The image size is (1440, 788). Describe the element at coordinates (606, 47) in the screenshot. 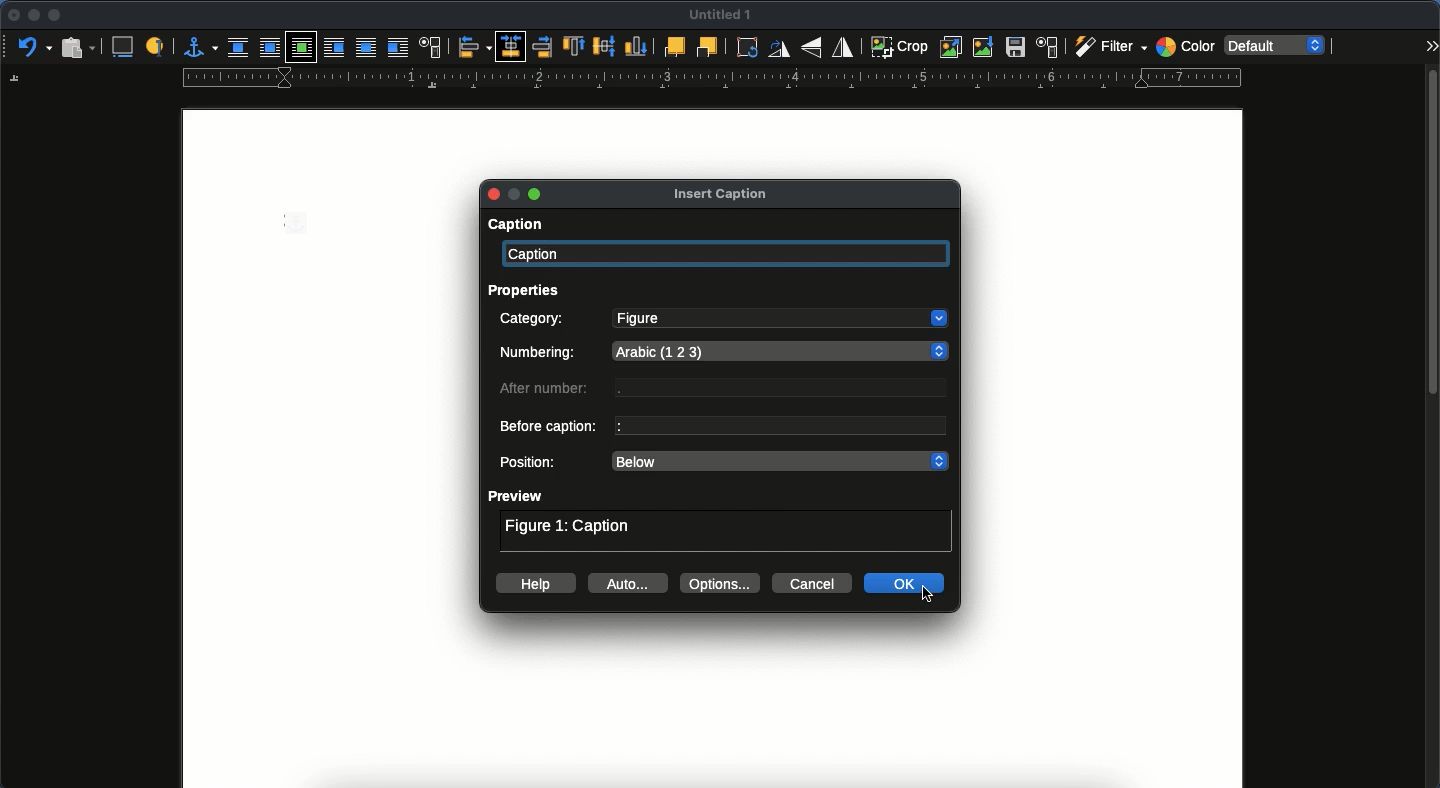

I see `middle to anchor` at that location.